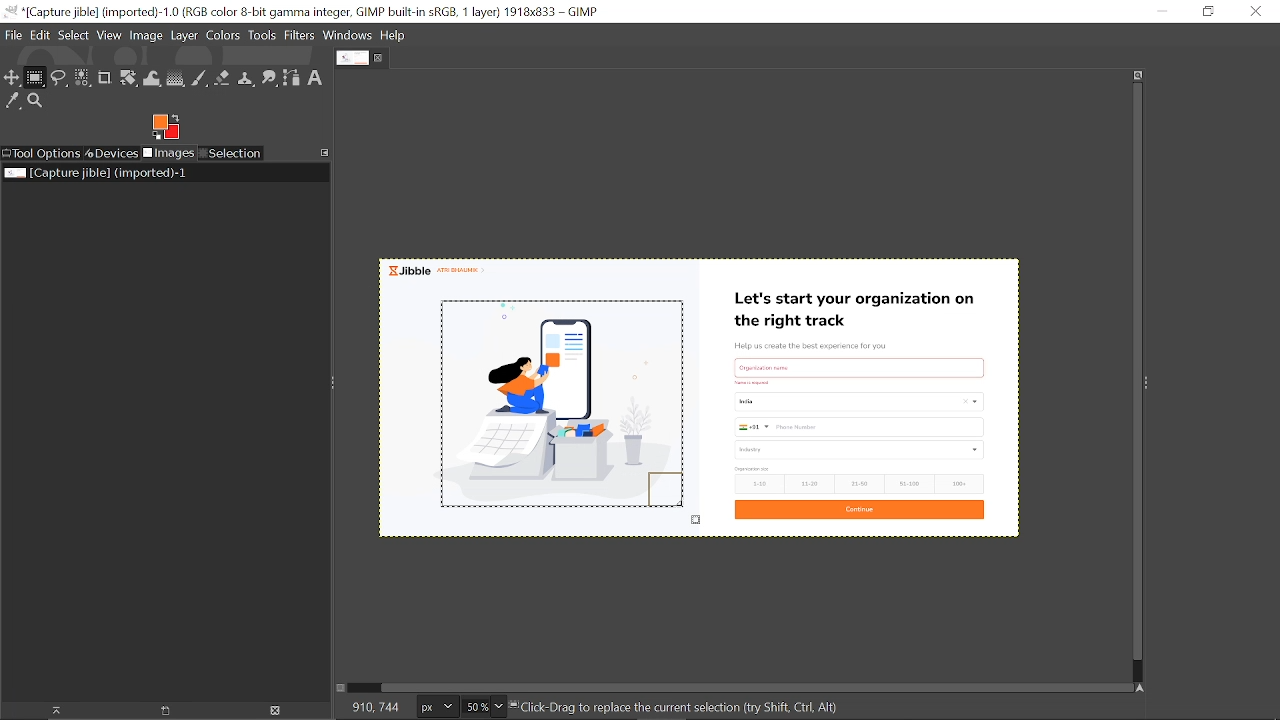 This screenshot has height=720, width=1280. I want to click on Delete, so click(275, 710).